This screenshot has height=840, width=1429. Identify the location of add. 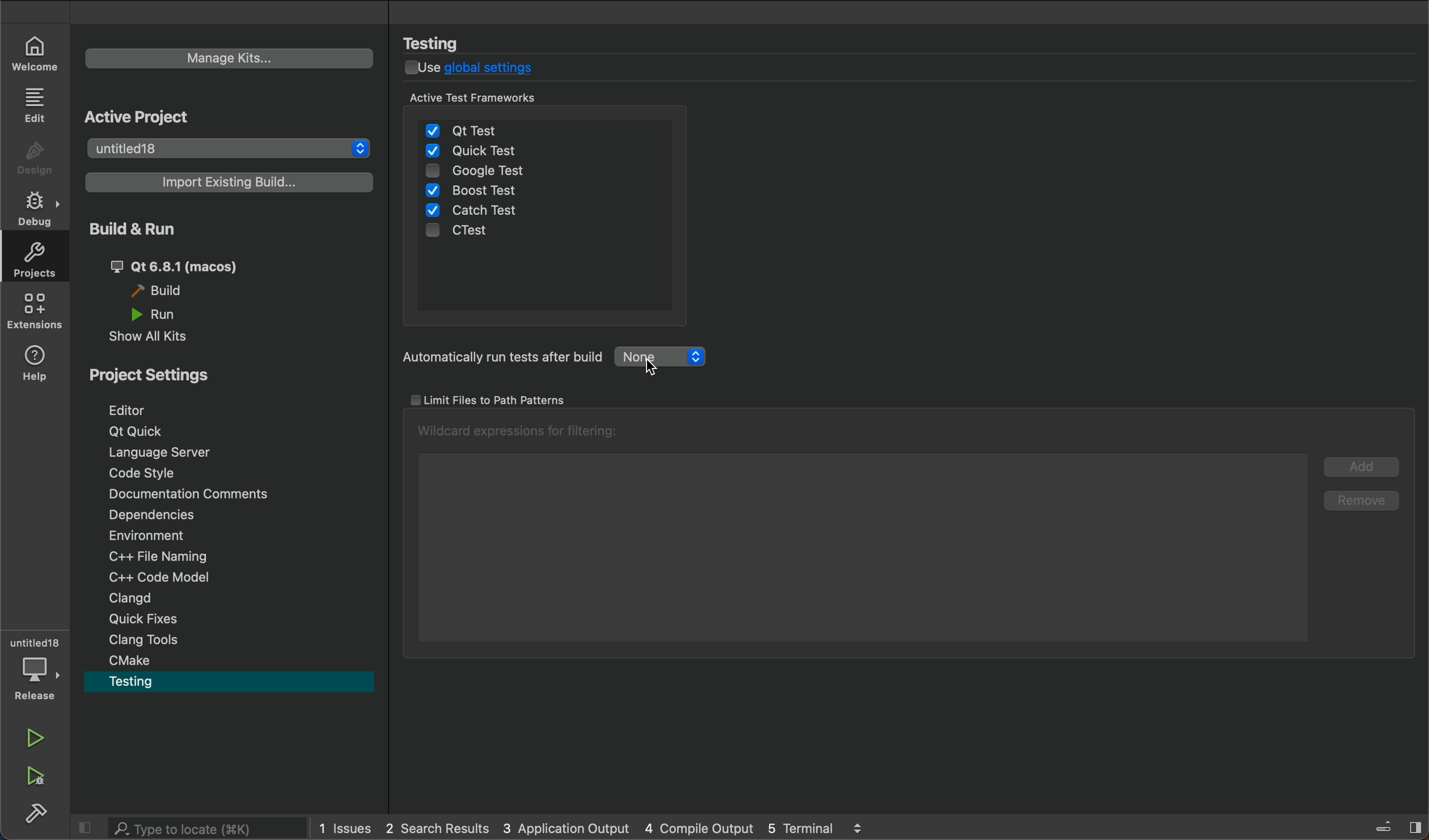
(1362, 465).